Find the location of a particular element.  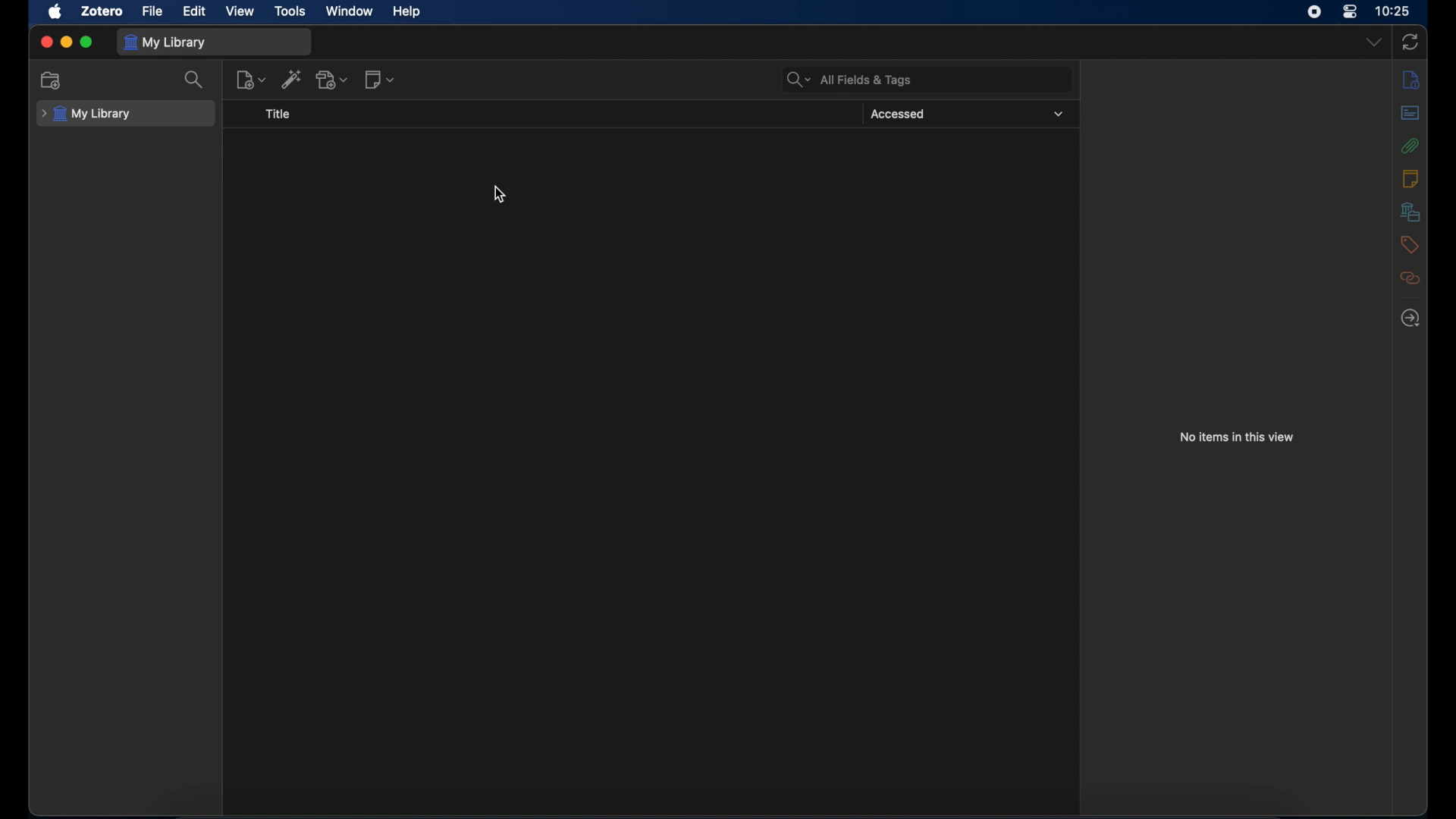

sync is located at coordinates (1409, 42).